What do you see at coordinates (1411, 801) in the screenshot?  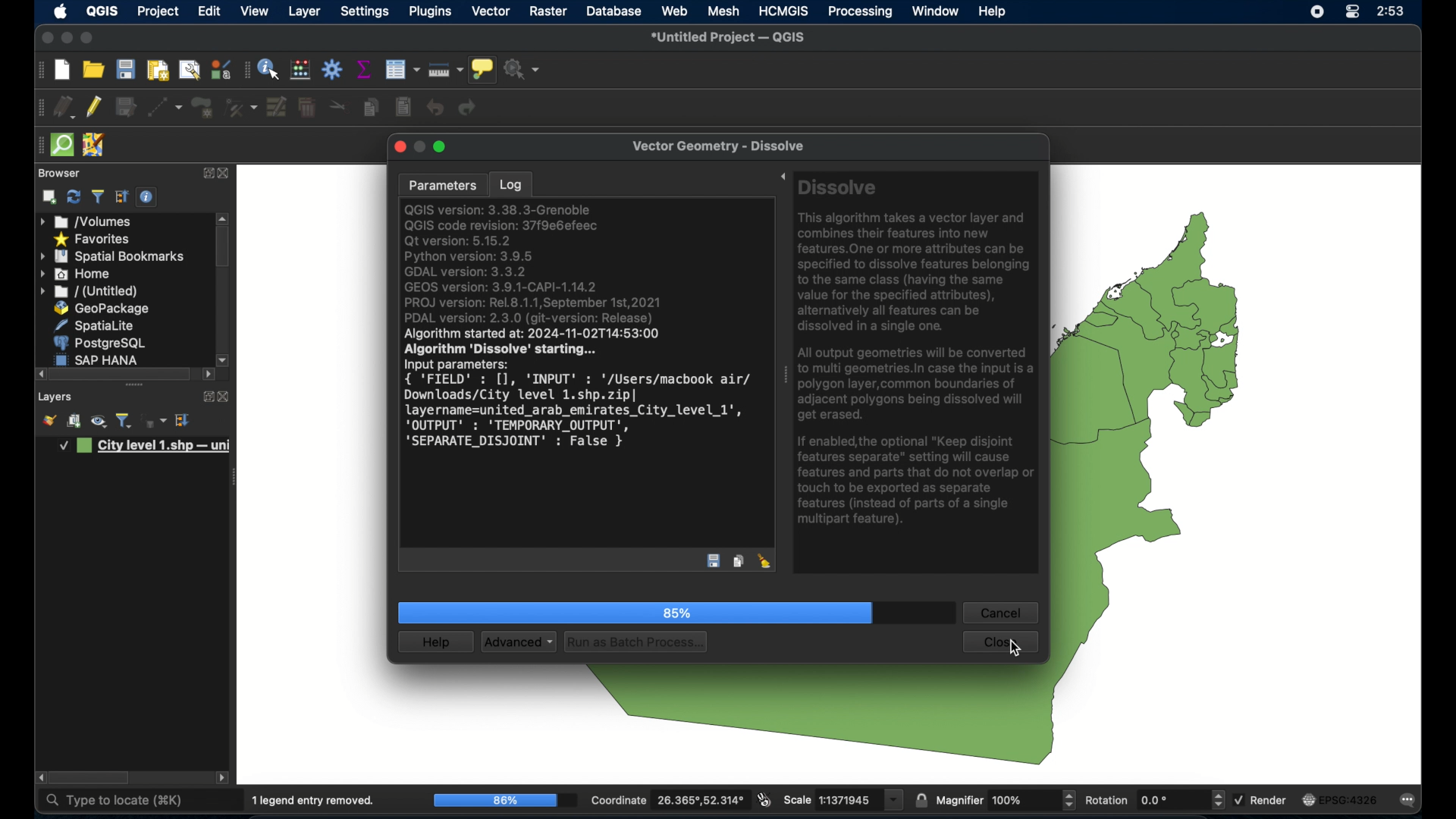 I see `messages` at bounding box center [1411, 801].